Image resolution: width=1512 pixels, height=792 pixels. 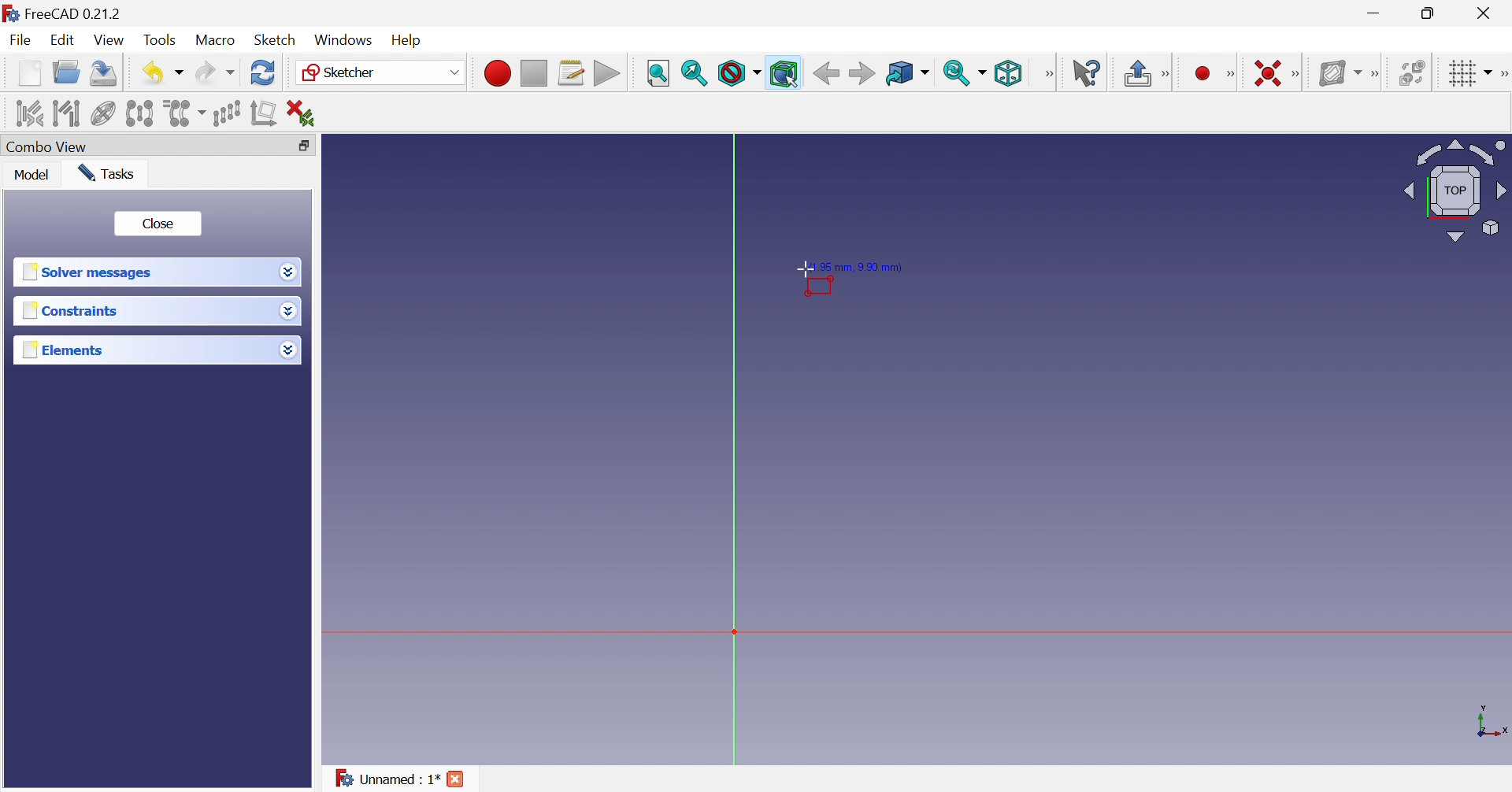 What do you see at coordinates (108, 41) in the screenshot?
I see `View` at bounding box center [108, 41].